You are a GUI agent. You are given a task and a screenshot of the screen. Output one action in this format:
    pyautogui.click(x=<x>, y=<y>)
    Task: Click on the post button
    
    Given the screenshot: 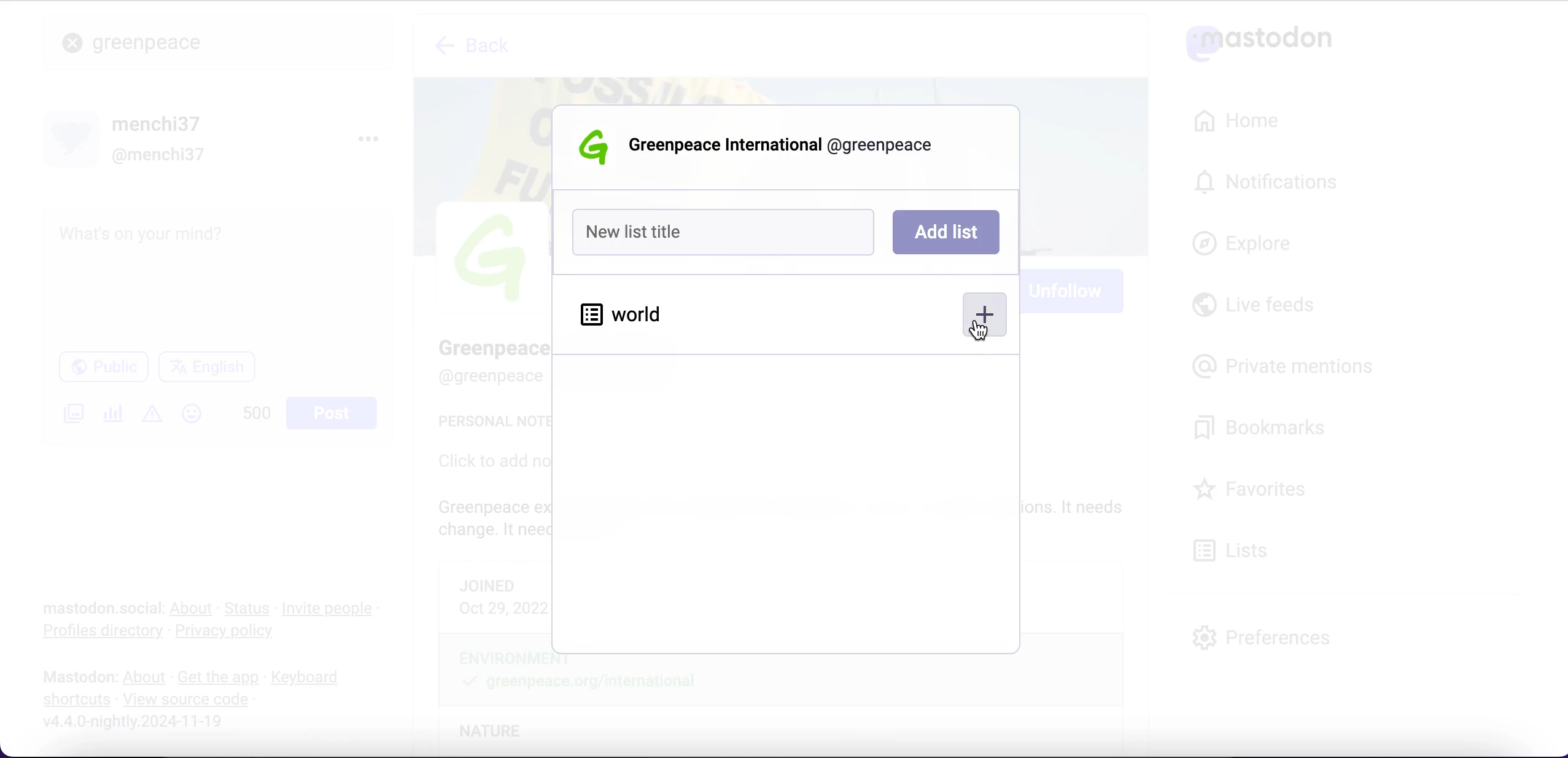 What is the action you would take?
    pyautogui.click(x=335, y=413)
    